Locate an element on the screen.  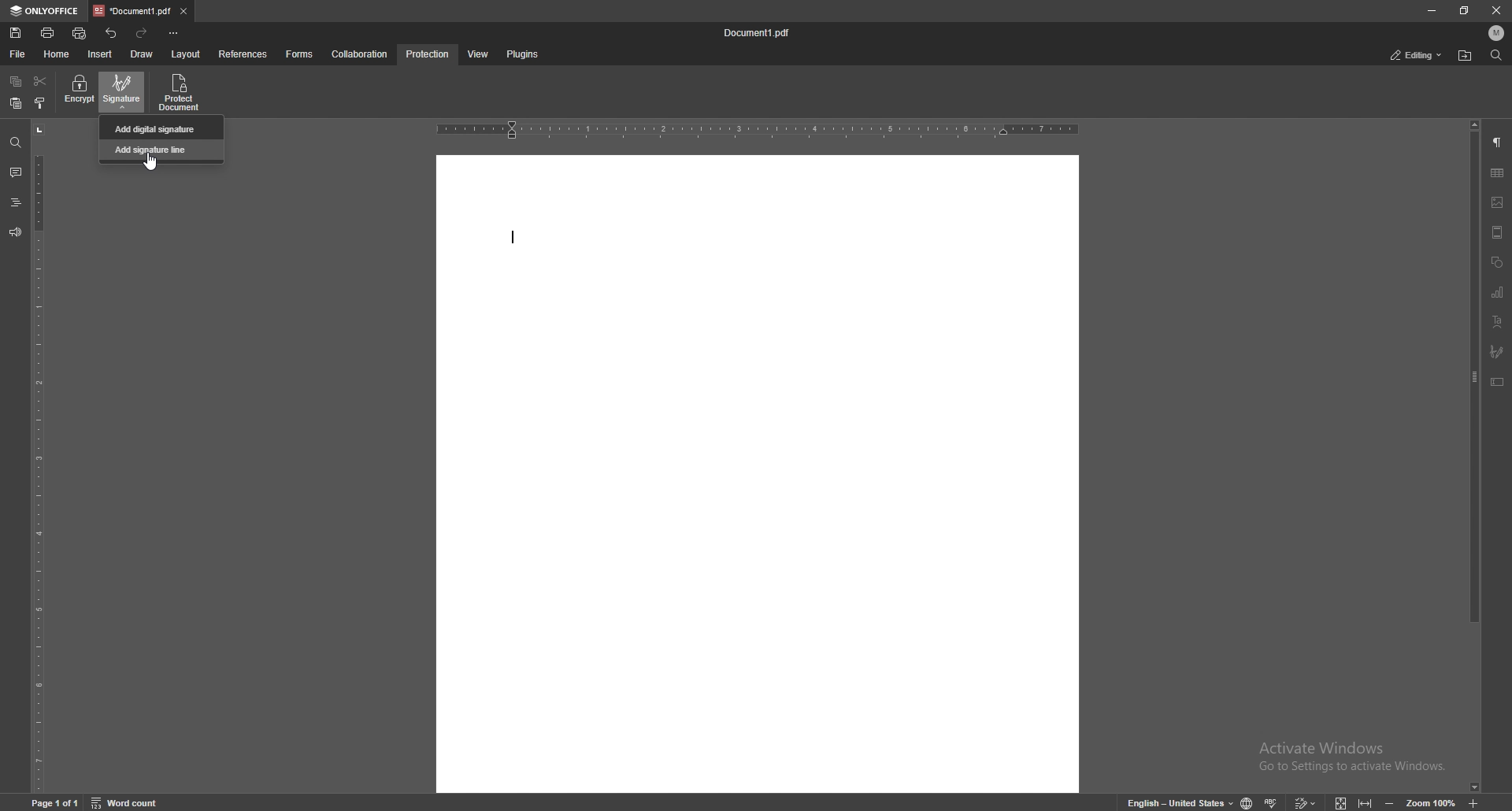
protect document is located at coordinates (181, 92).